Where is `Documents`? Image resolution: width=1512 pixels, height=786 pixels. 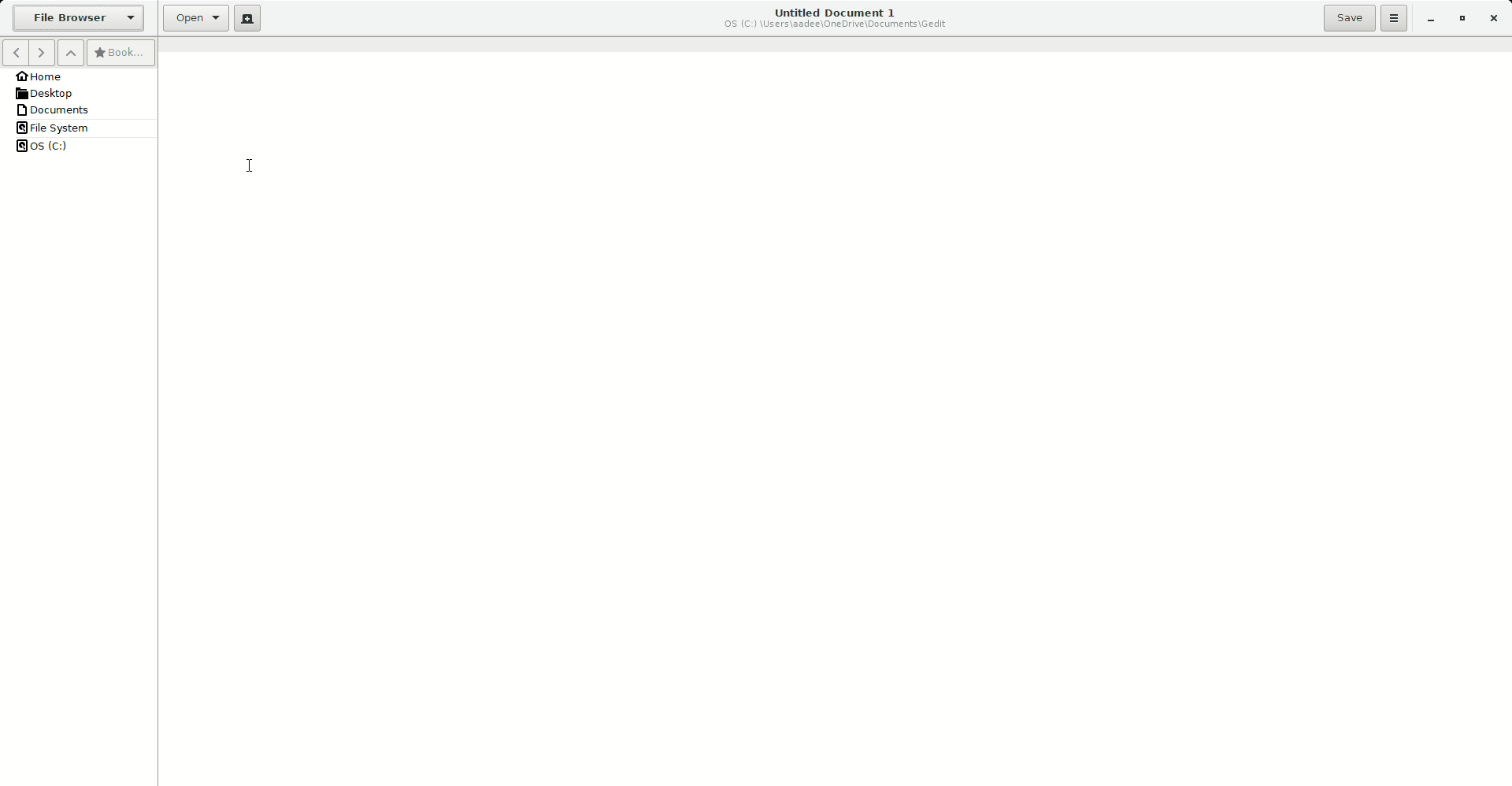 Documents is located at coordinates (55, 109).